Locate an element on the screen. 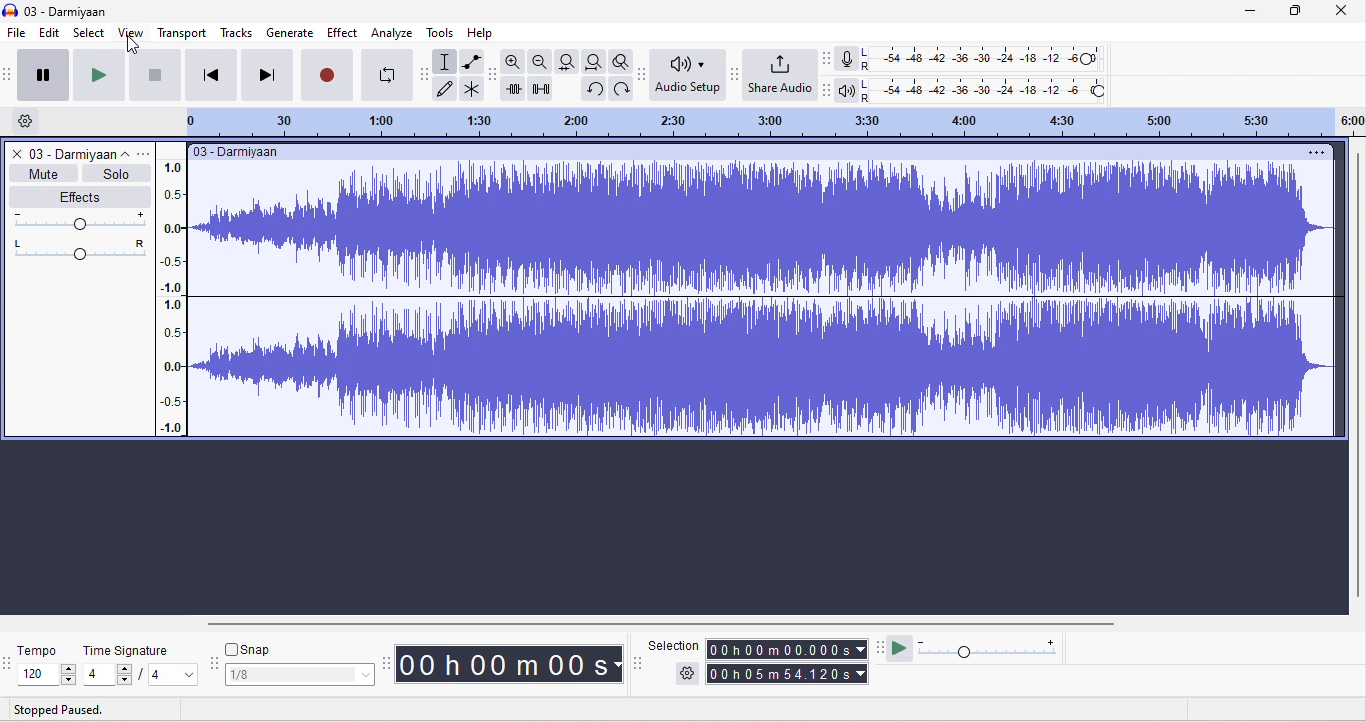 This screenshot has height=722, width=1366. audacity tools toolbar is located at coordinates (425, 73).